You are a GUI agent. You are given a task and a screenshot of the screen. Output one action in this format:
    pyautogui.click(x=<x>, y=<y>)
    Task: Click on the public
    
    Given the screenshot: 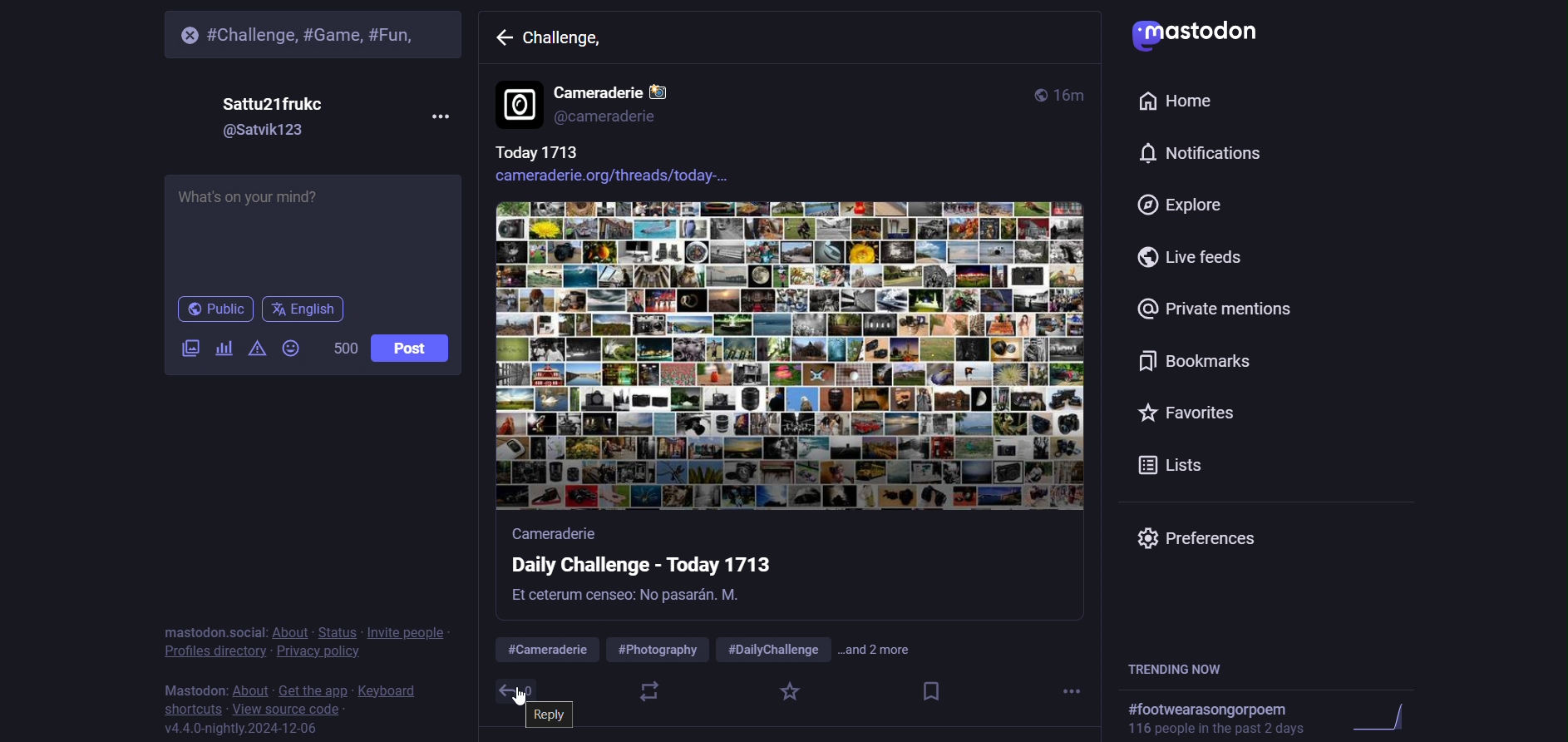 What is the action you would take?
    pyautogui.click(x=214, y=309)
    